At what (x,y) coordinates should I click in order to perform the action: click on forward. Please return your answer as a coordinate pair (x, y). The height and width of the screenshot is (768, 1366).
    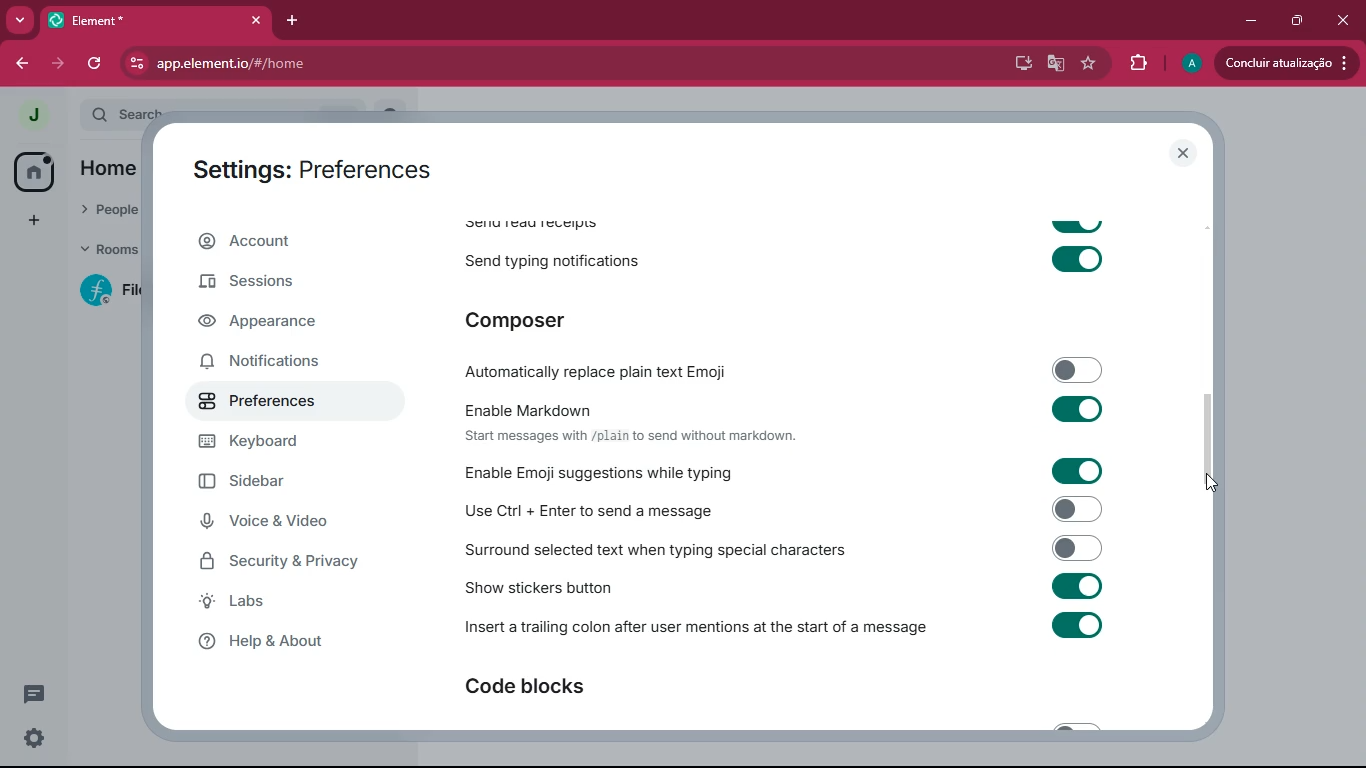
    Looking at the image, I should click on (55, 63).